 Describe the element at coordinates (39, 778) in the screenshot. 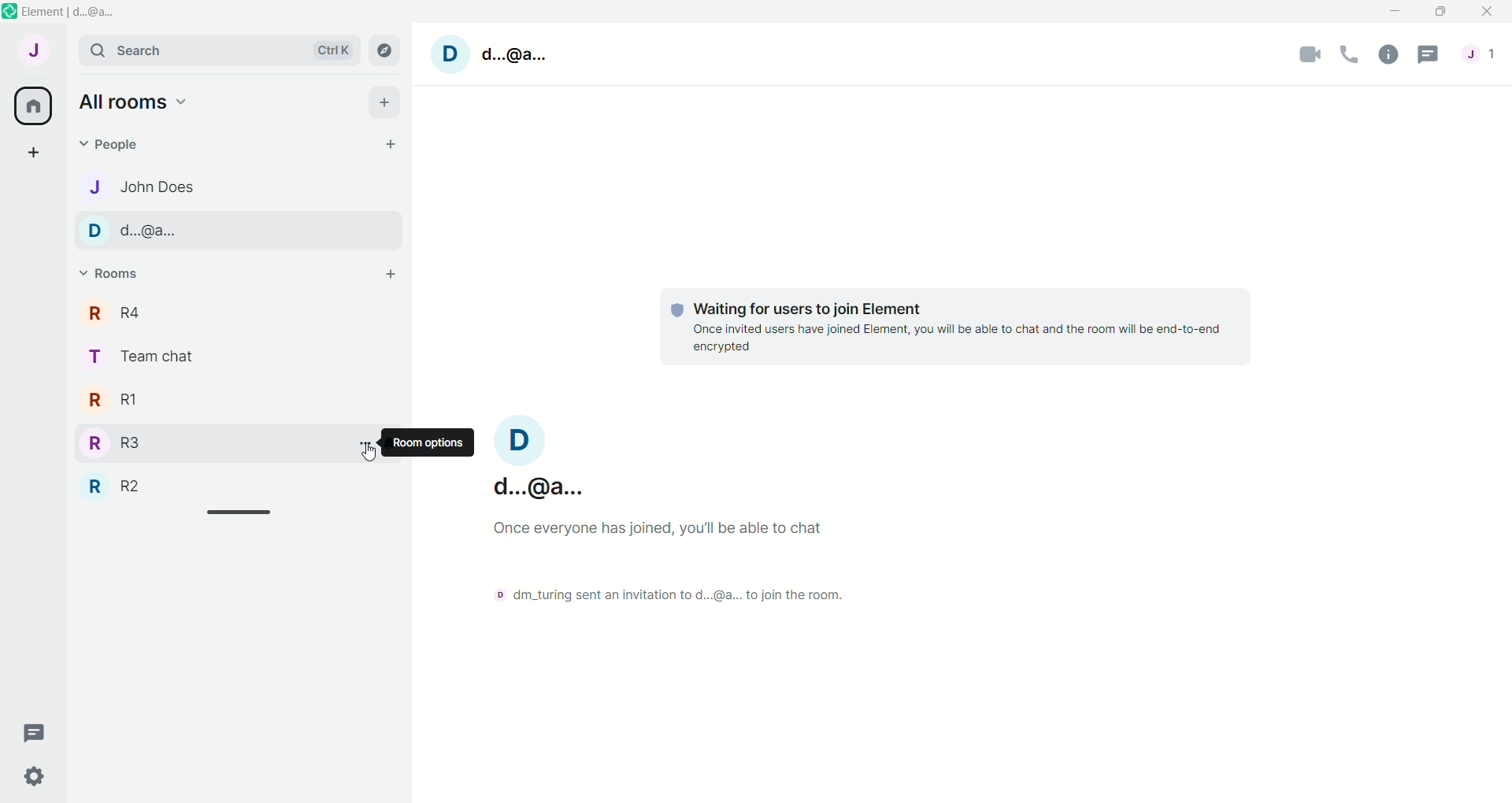

I see `quick settings` at that location.